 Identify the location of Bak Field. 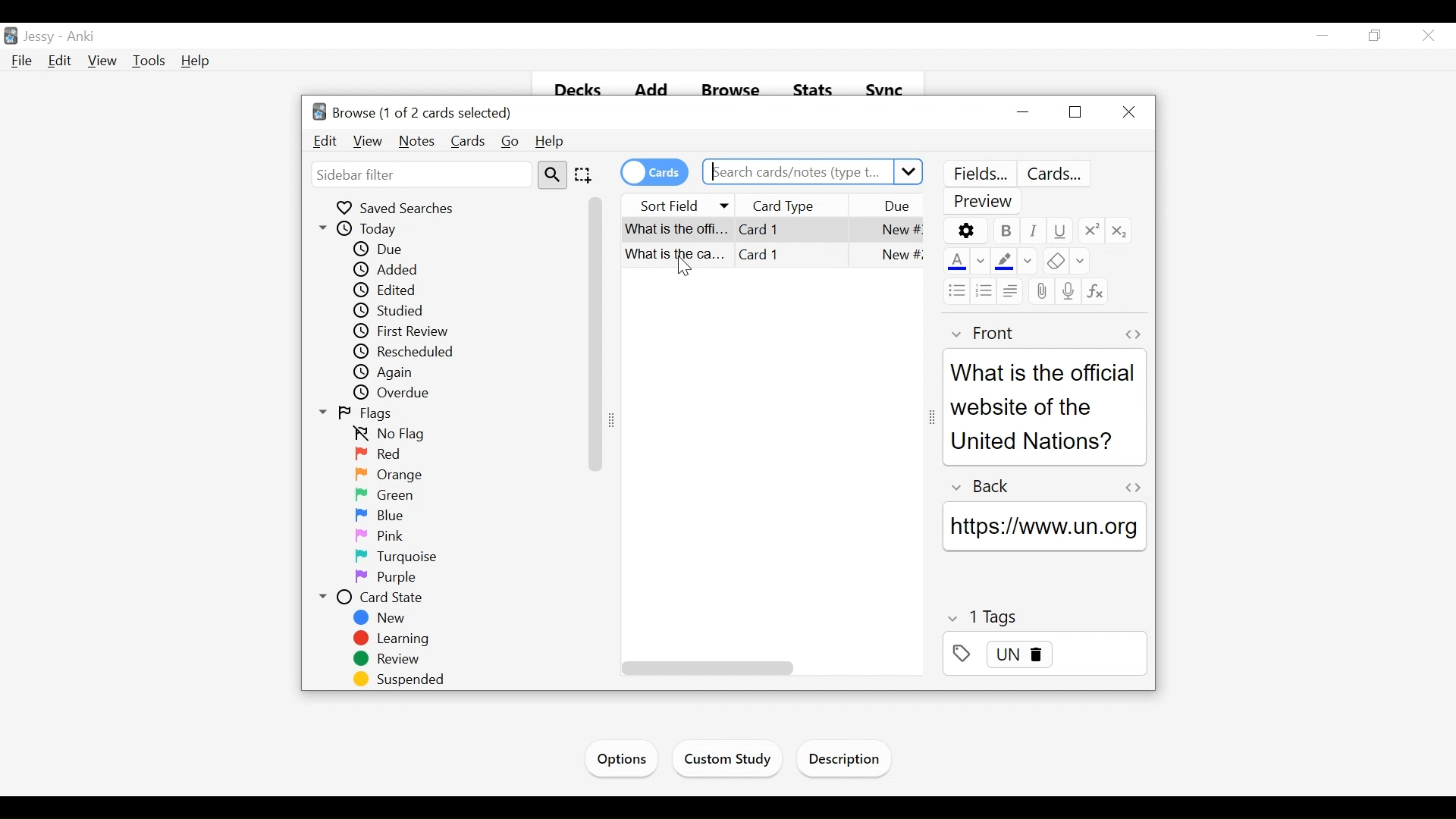
(1043, 485).